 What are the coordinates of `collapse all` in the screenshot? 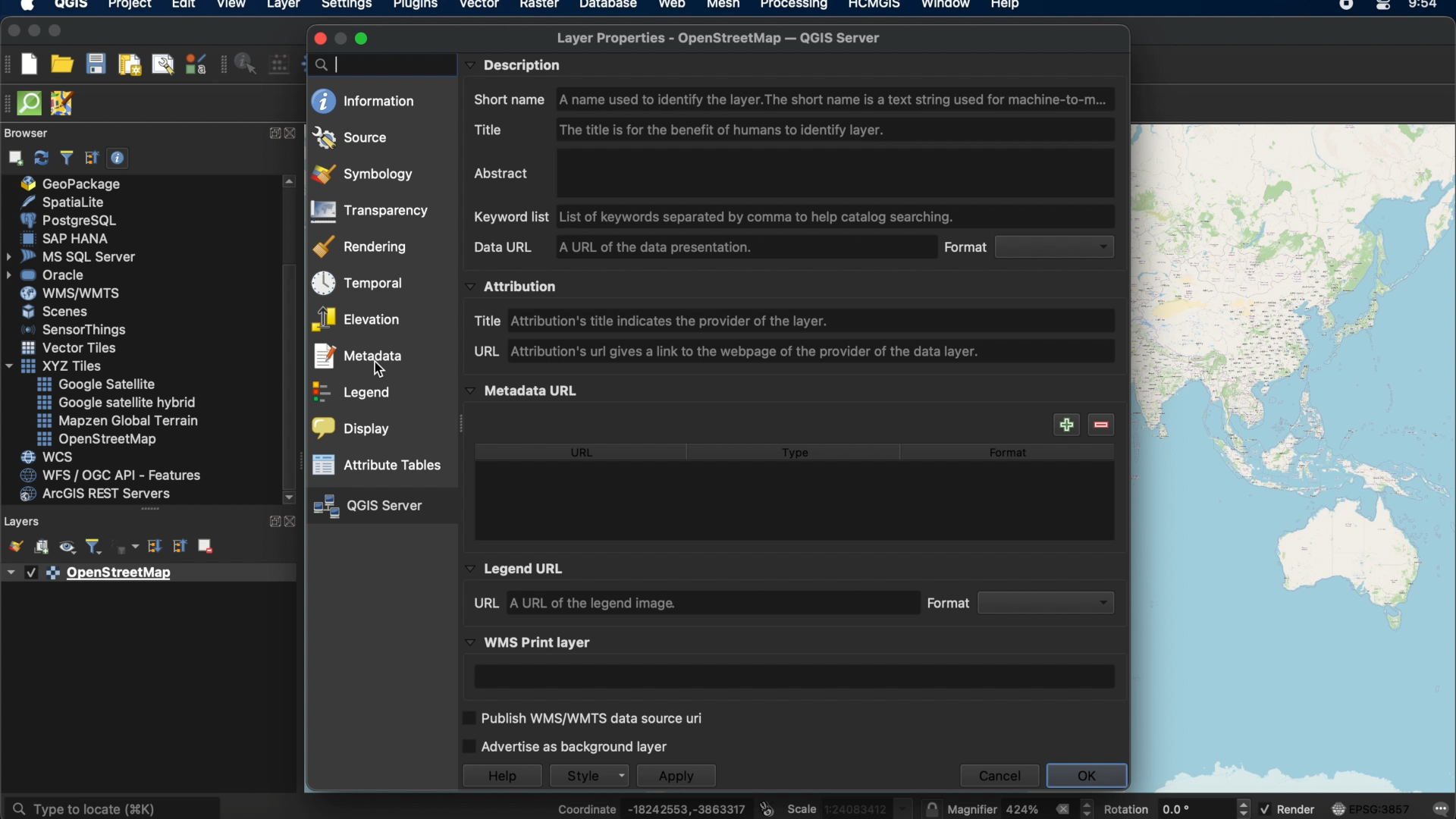 It's located at (92, 158).